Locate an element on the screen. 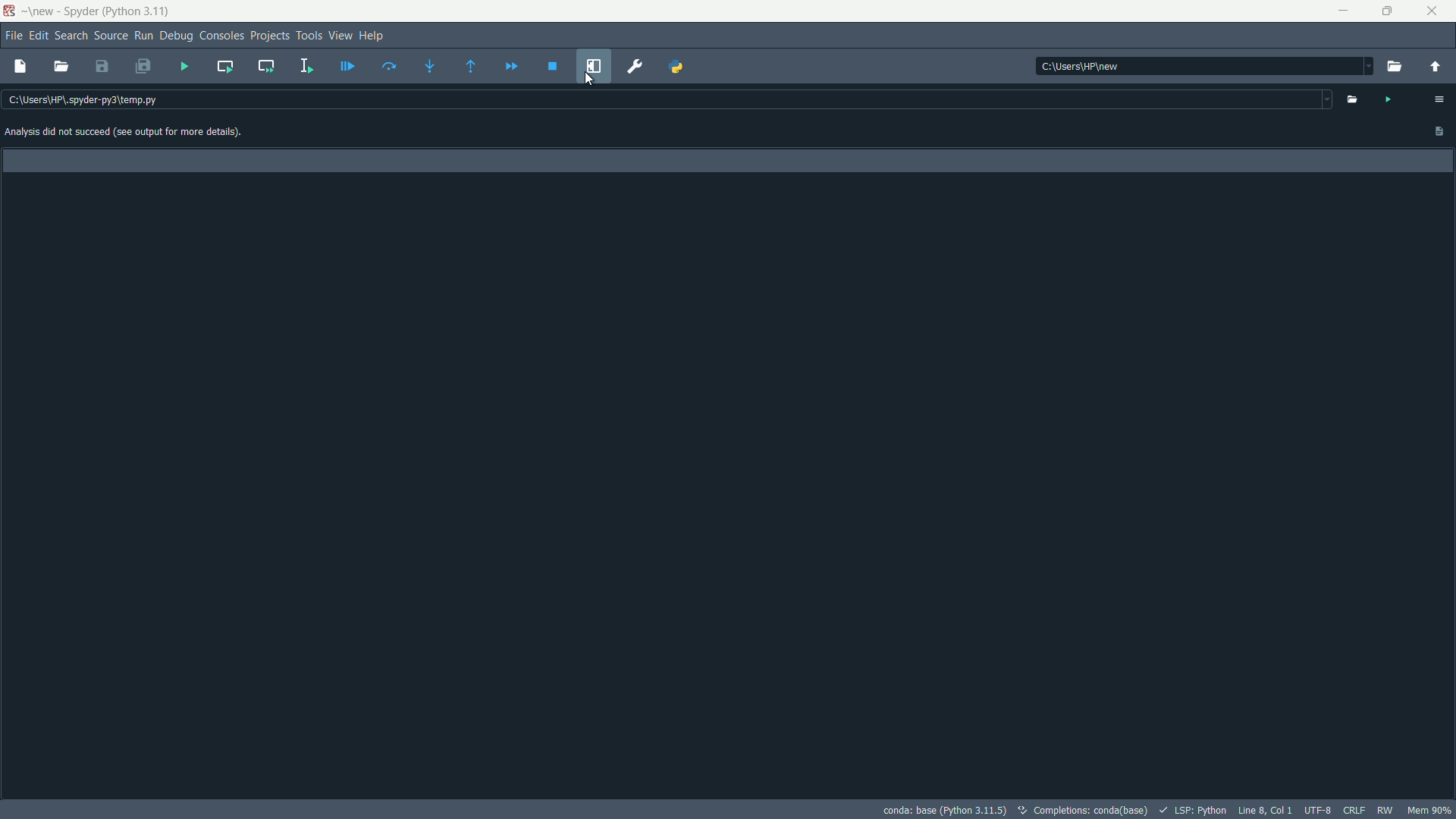 The width and height of the screenshot is (1456, 819). app icon is located at coordinates (11, 11).